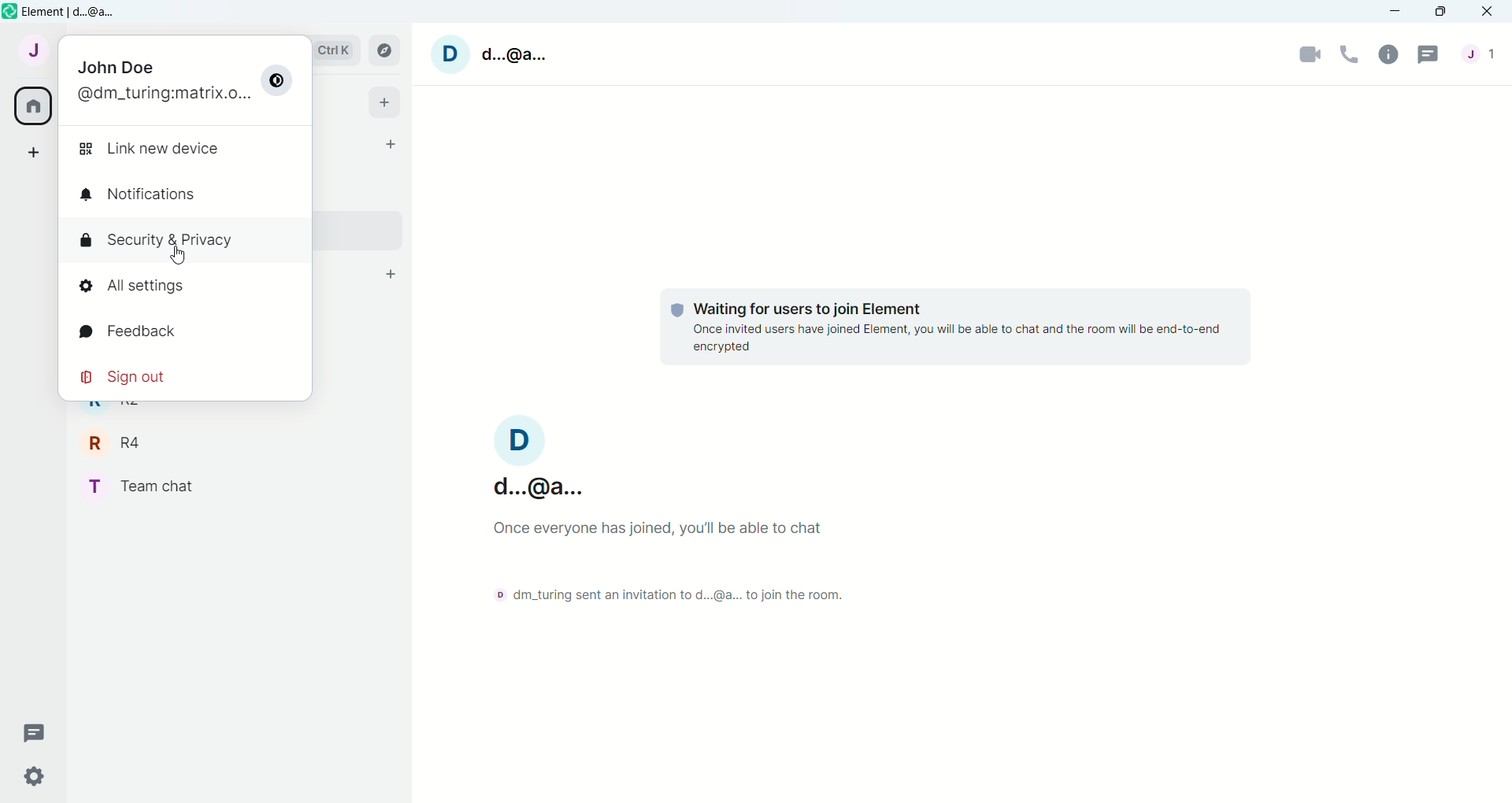 Image resolution: width=1512 pixels, height=803 pixels. What do you see at coordinates (1488, 11) in the screenshot?
I see `close` at bounding box center [1488, 11].